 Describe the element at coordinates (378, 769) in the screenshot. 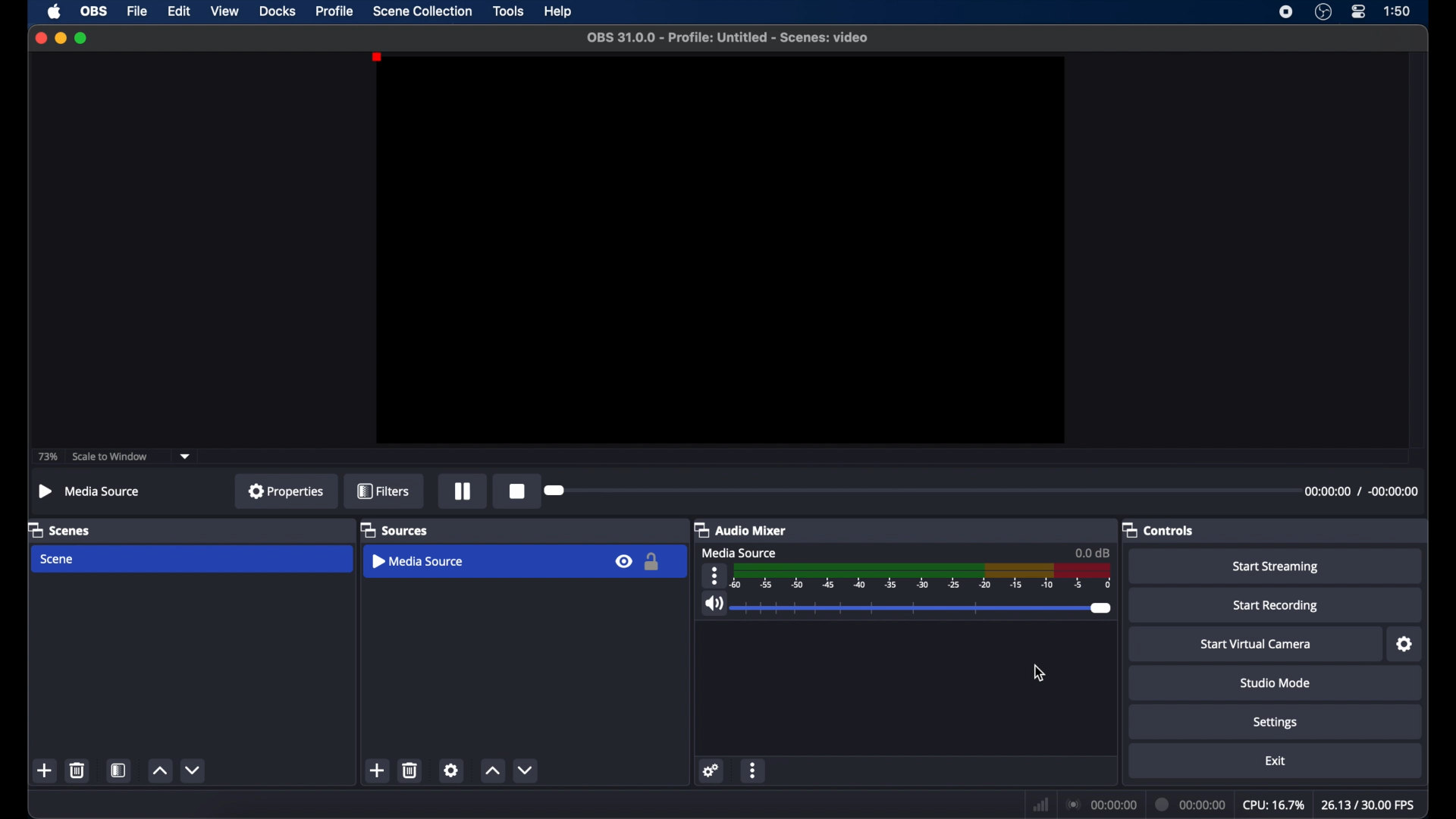

I see `add` at that location.